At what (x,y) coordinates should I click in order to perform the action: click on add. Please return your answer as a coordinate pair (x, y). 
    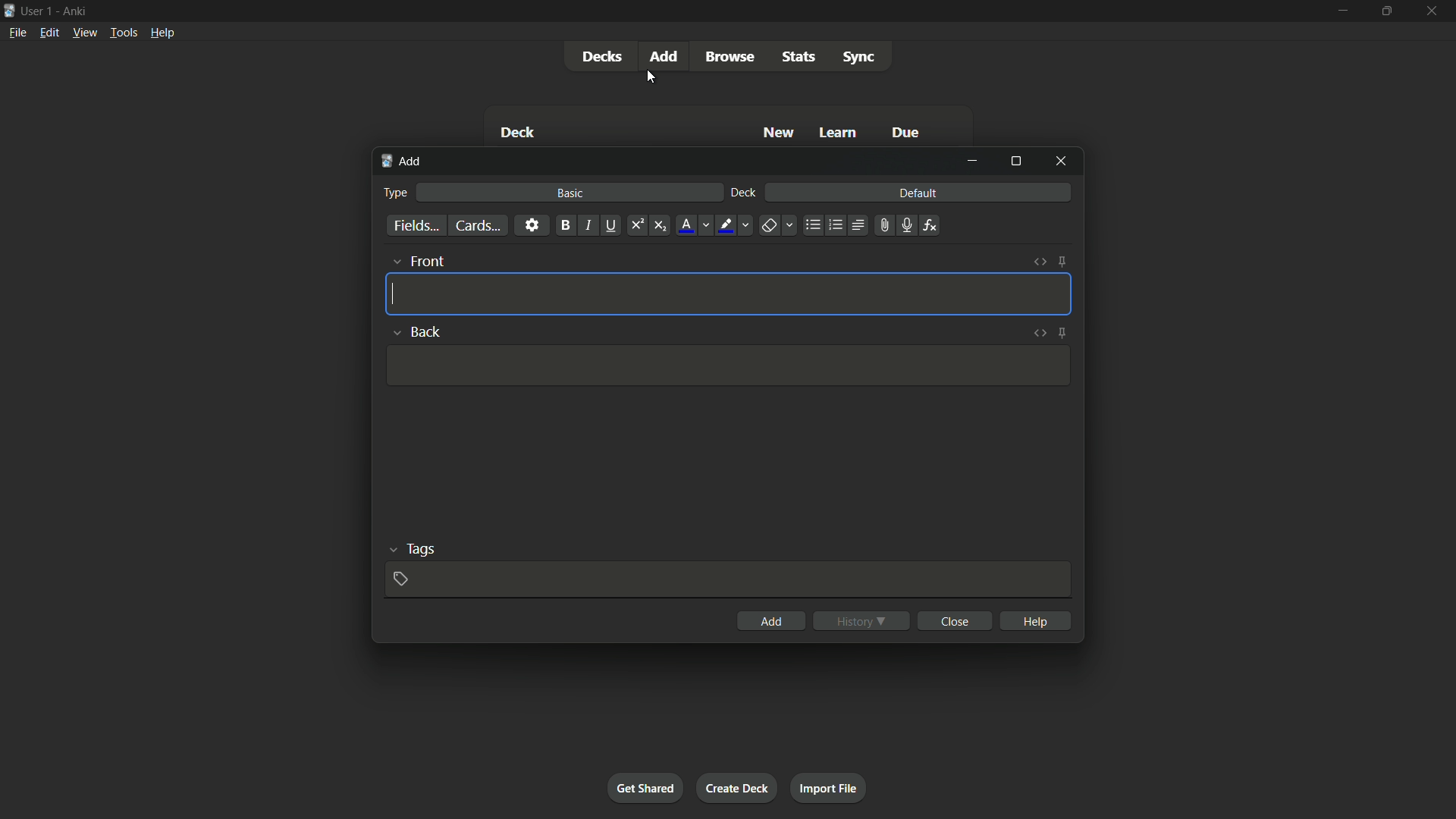
    Looking at the image, I should click on (403, 162).